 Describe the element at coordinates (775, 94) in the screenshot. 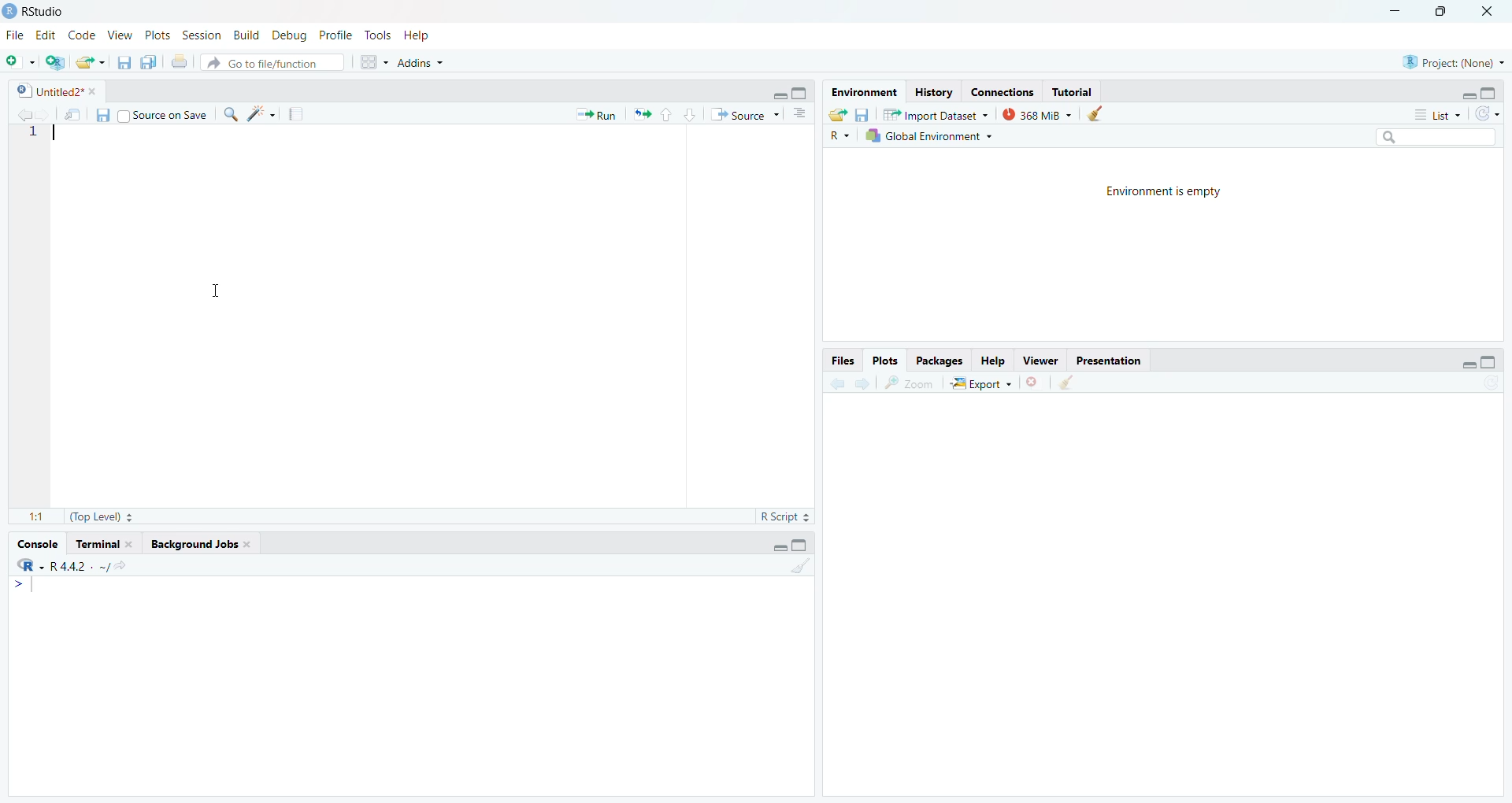

I see `minimise` at that location.